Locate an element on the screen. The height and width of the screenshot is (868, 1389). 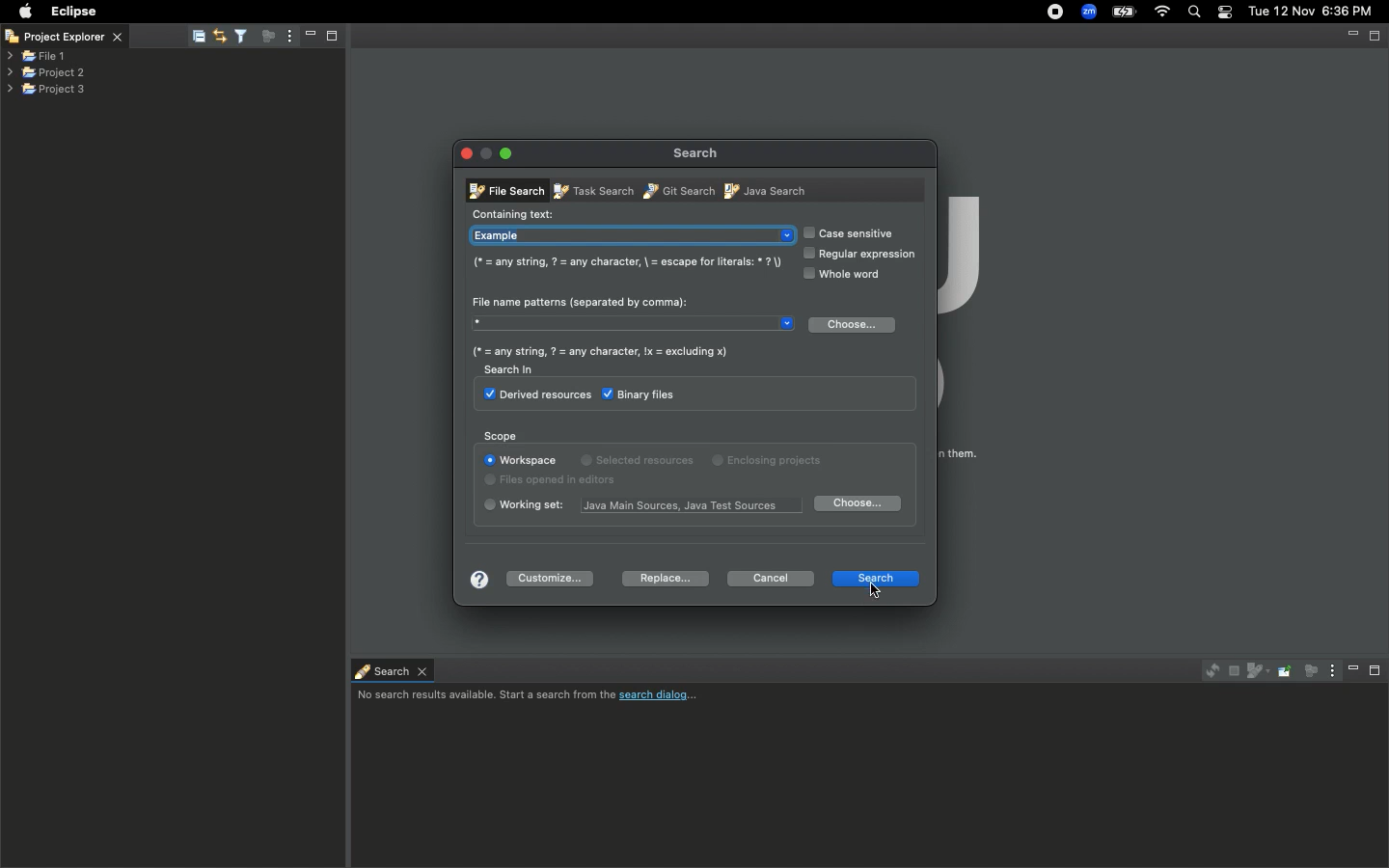
Regular expression is located at coordinates (859, 256).